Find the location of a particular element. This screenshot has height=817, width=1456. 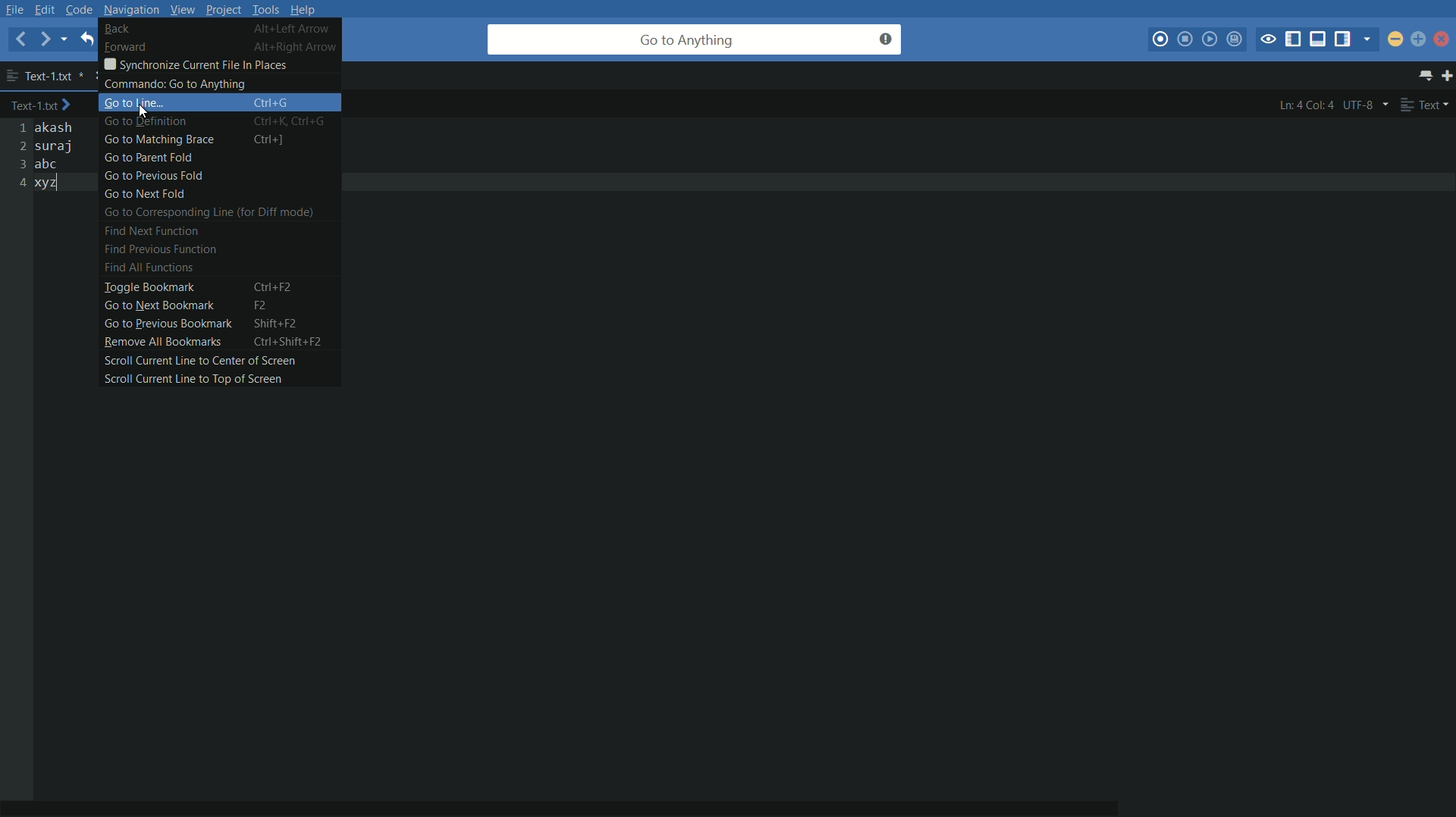

navigation is located at coordinates (131, 9).